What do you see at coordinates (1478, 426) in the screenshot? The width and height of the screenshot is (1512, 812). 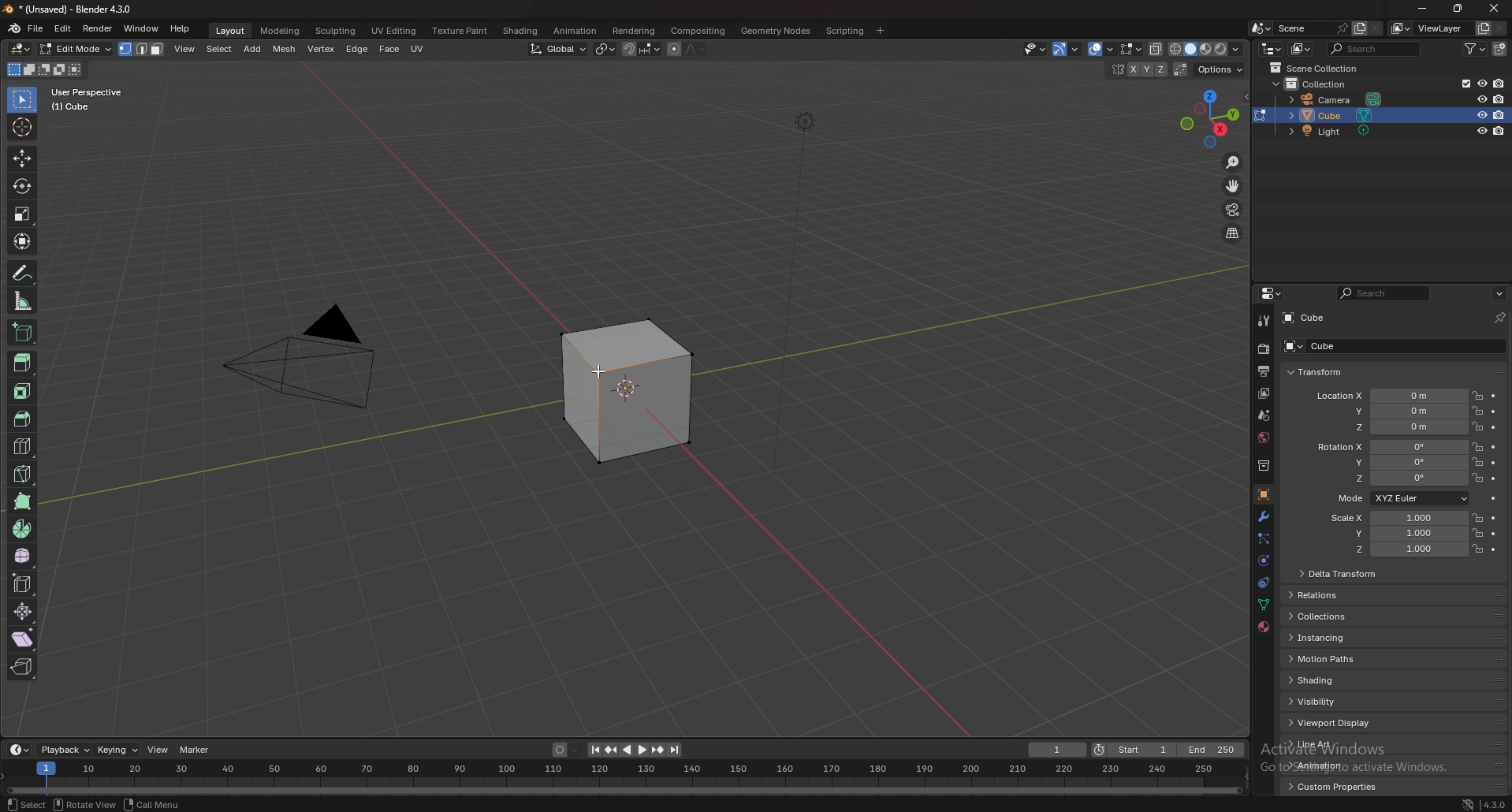 I see `lock location` at bounding box center [1478, 426].